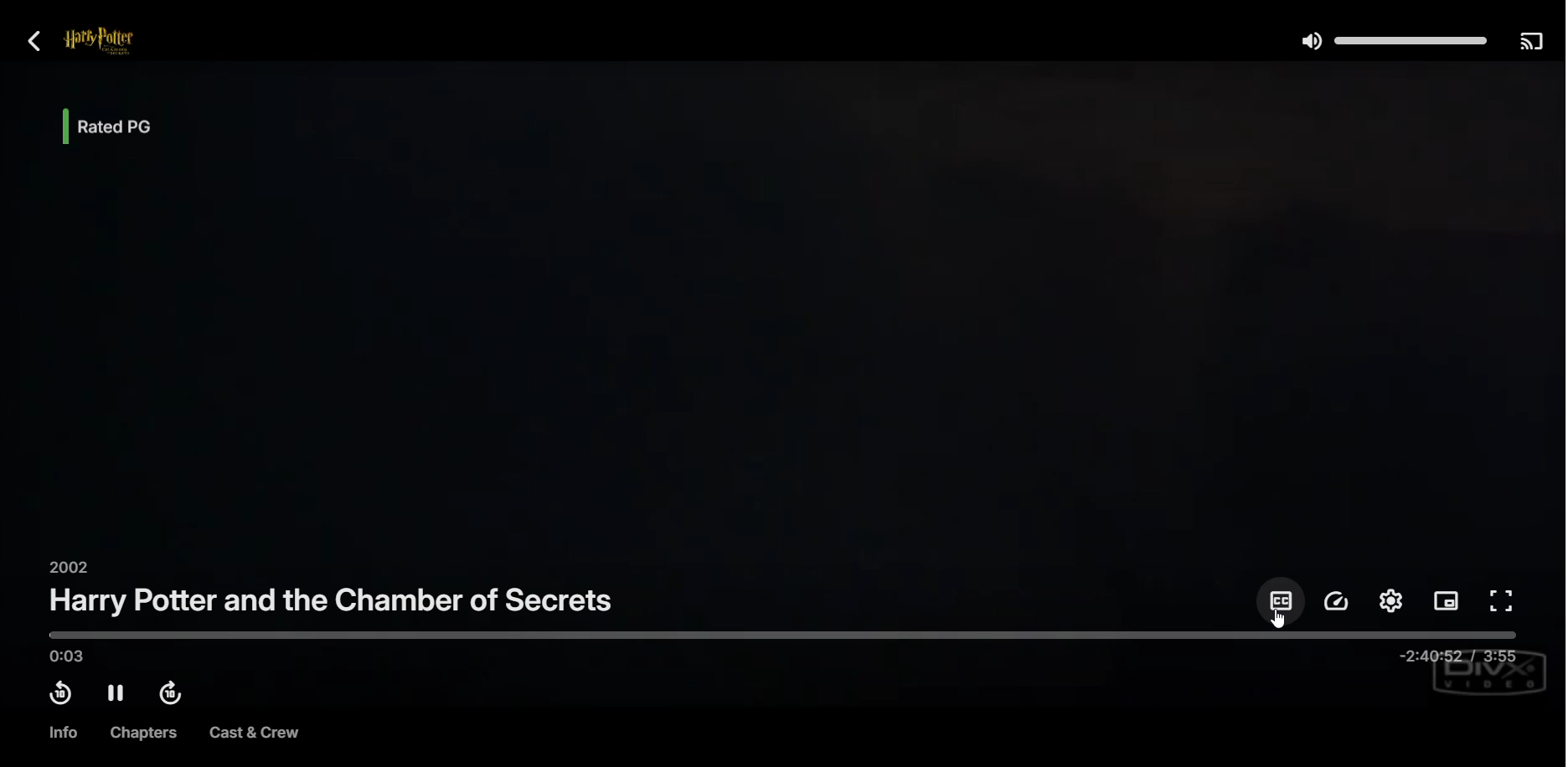  What do you see at coordinates (116, 693) in the screenshot?
I see `Pause/Play` at bounding box center [116, 693].